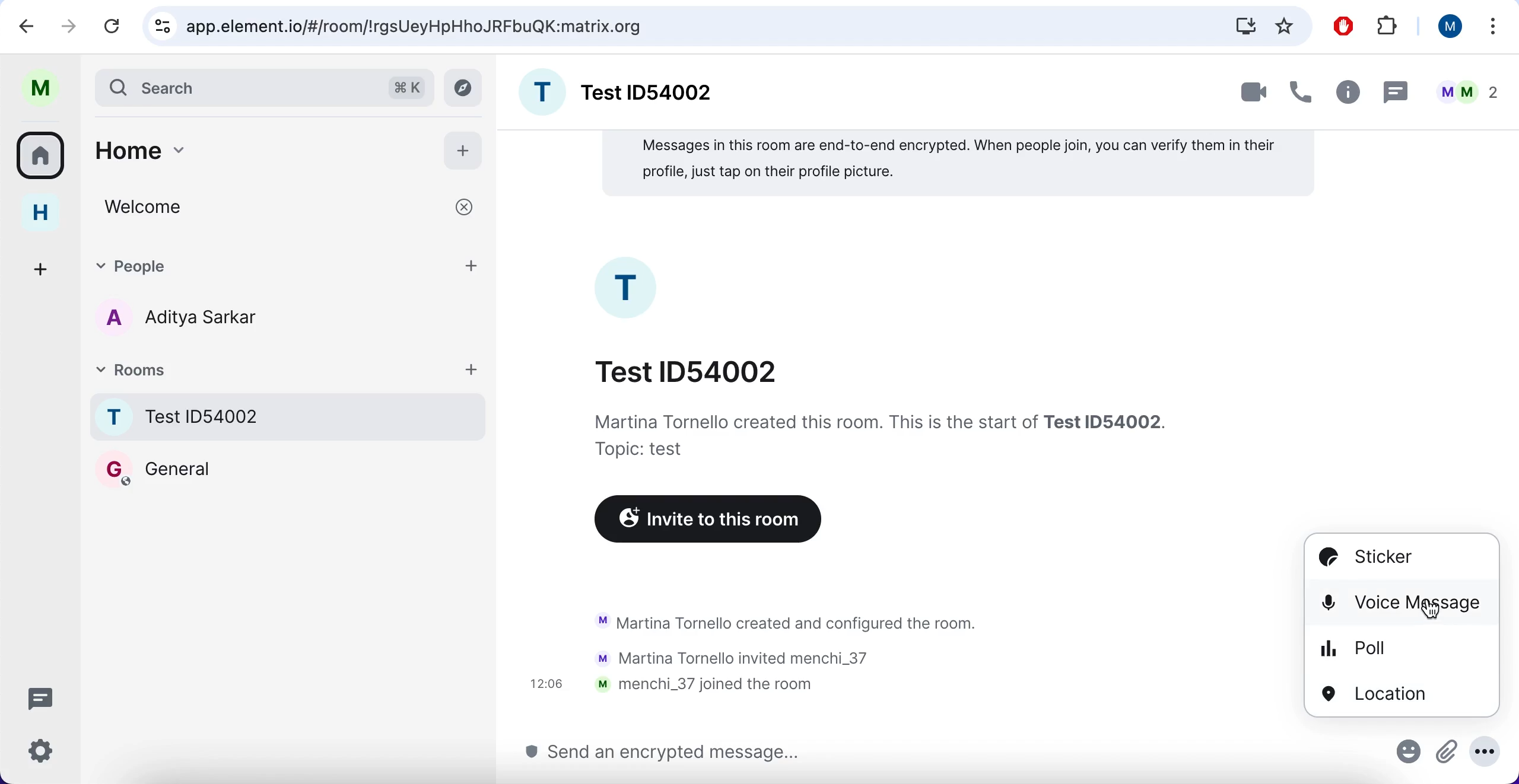 The image size is (1519, 784). I want to click on , so click(1346, 91).